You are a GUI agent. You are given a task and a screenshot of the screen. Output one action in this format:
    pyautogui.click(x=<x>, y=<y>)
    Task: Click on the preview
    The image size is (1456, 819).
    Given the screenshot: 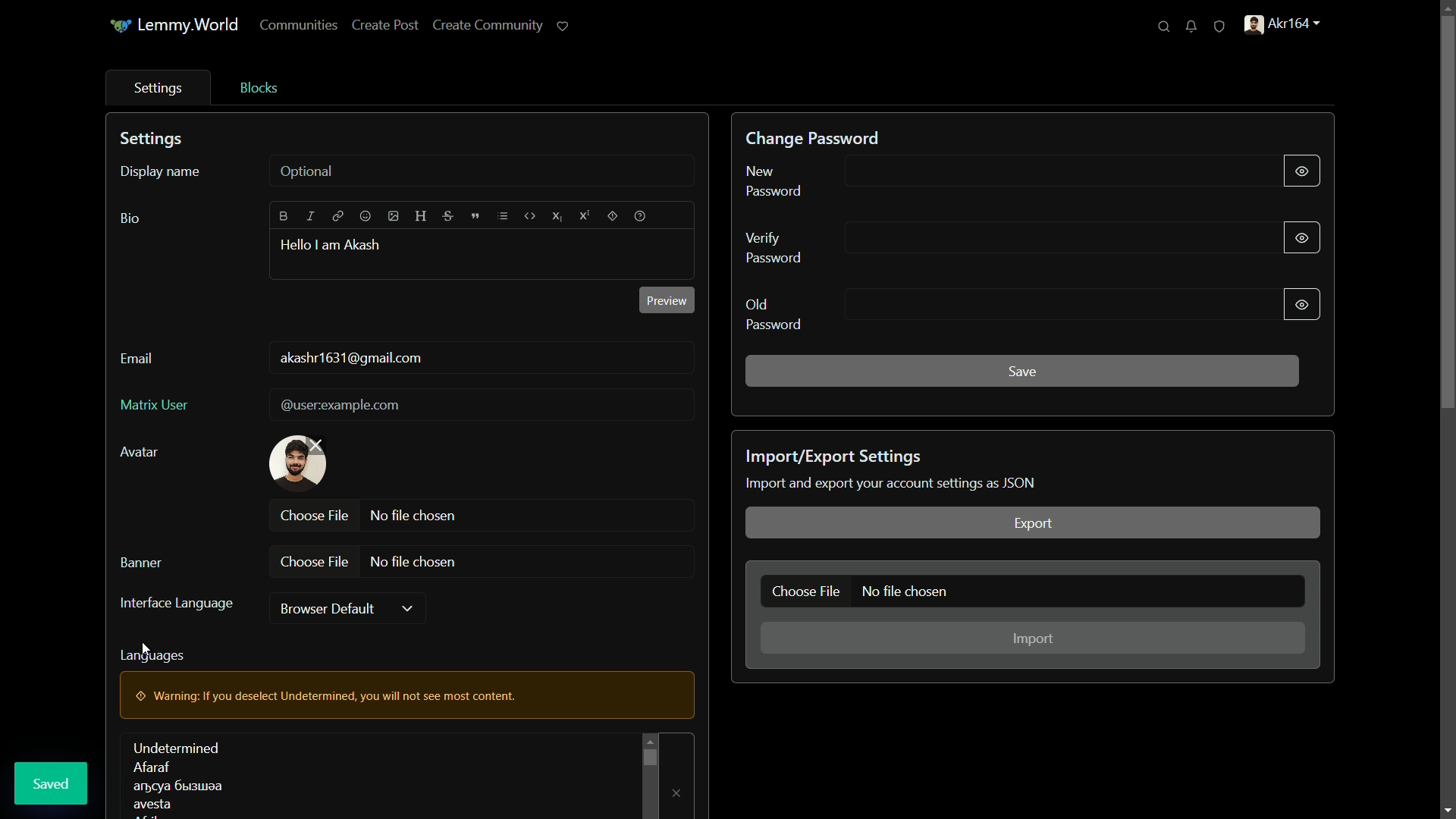 What is the action you would take?
    pyautogui.click(x=667, y=300)
    